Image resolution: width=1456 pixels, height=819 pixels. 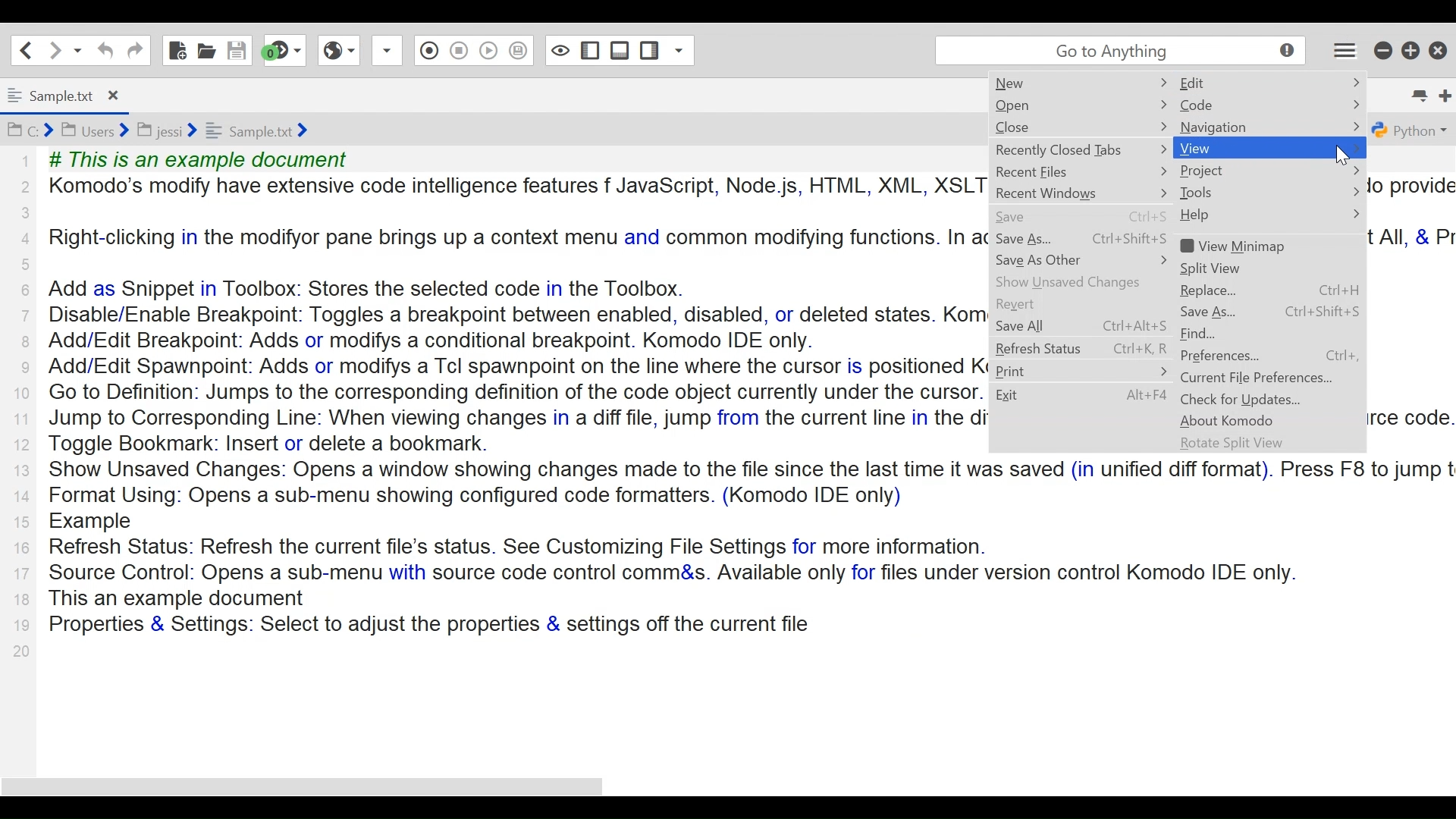 What do you see at coordinates (235, 49) in the screenshot?
I see `Save` at bounding box center [235, 49].